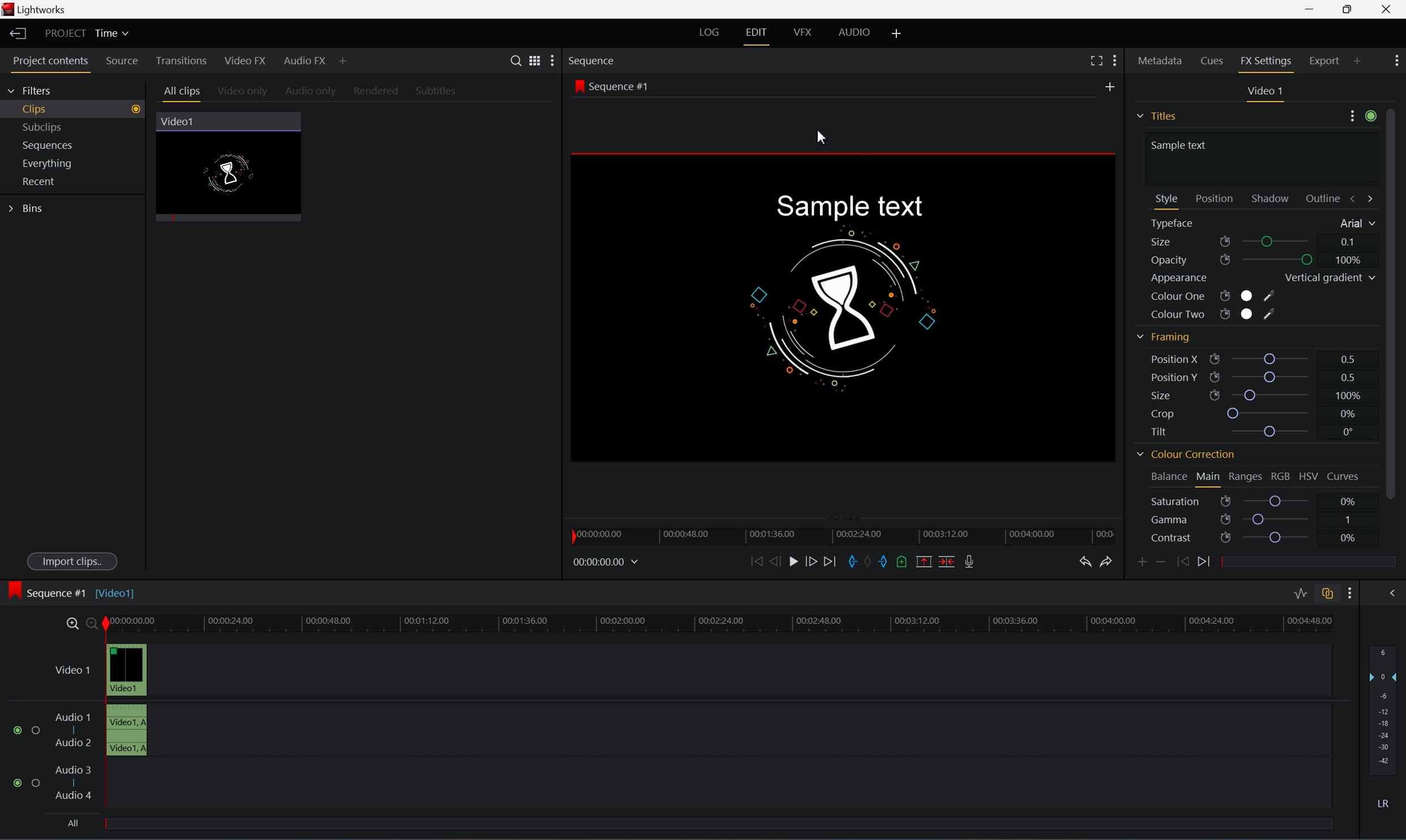 The image size is (1406, 840). What do you see at coordinates (1277, 518) in the screenshot?
I see `slider` at bounding box center [1277, 518].